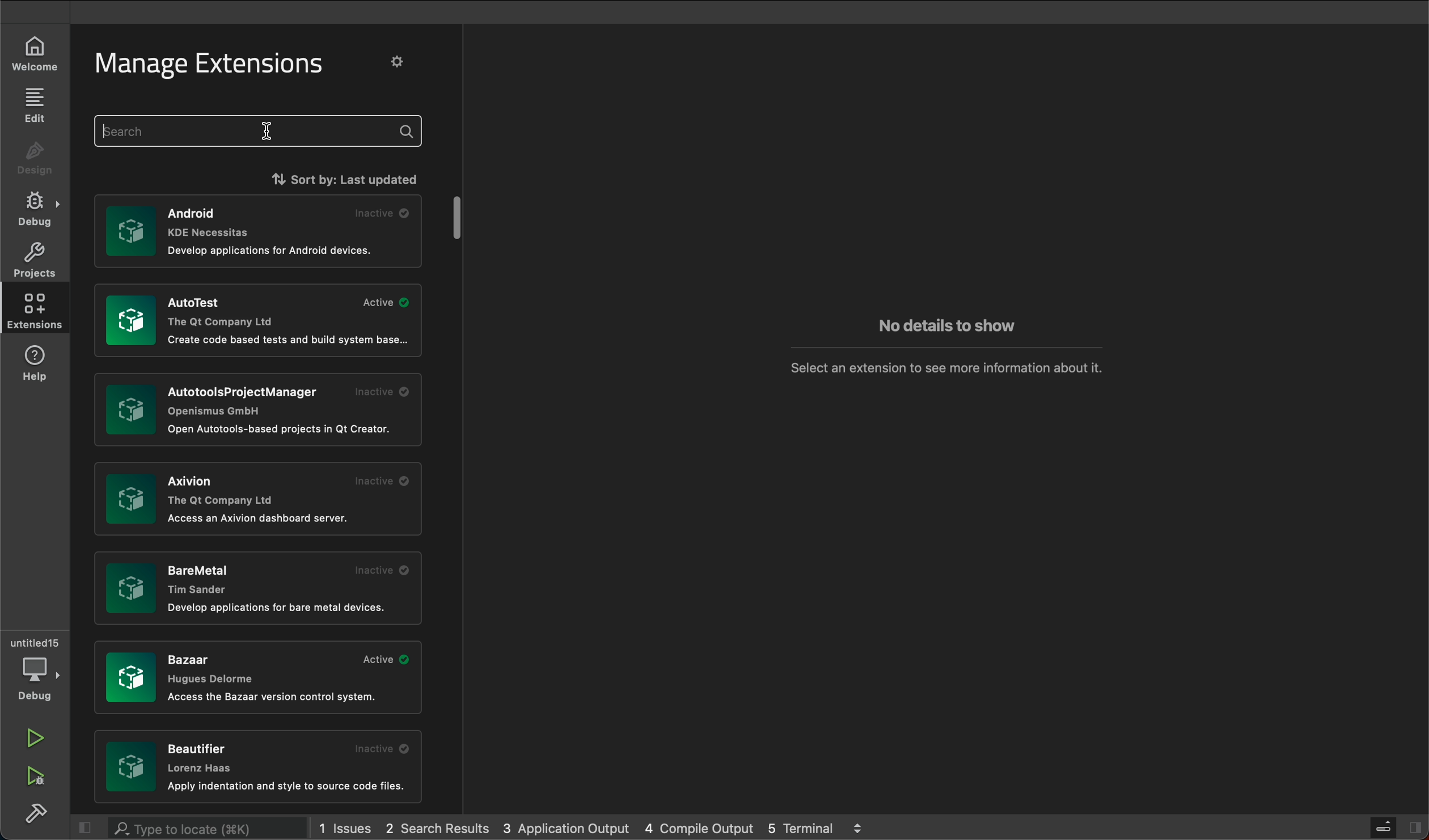 This screenshot has width=1429, height=840. I want to click on inactive, so click(384, 213).